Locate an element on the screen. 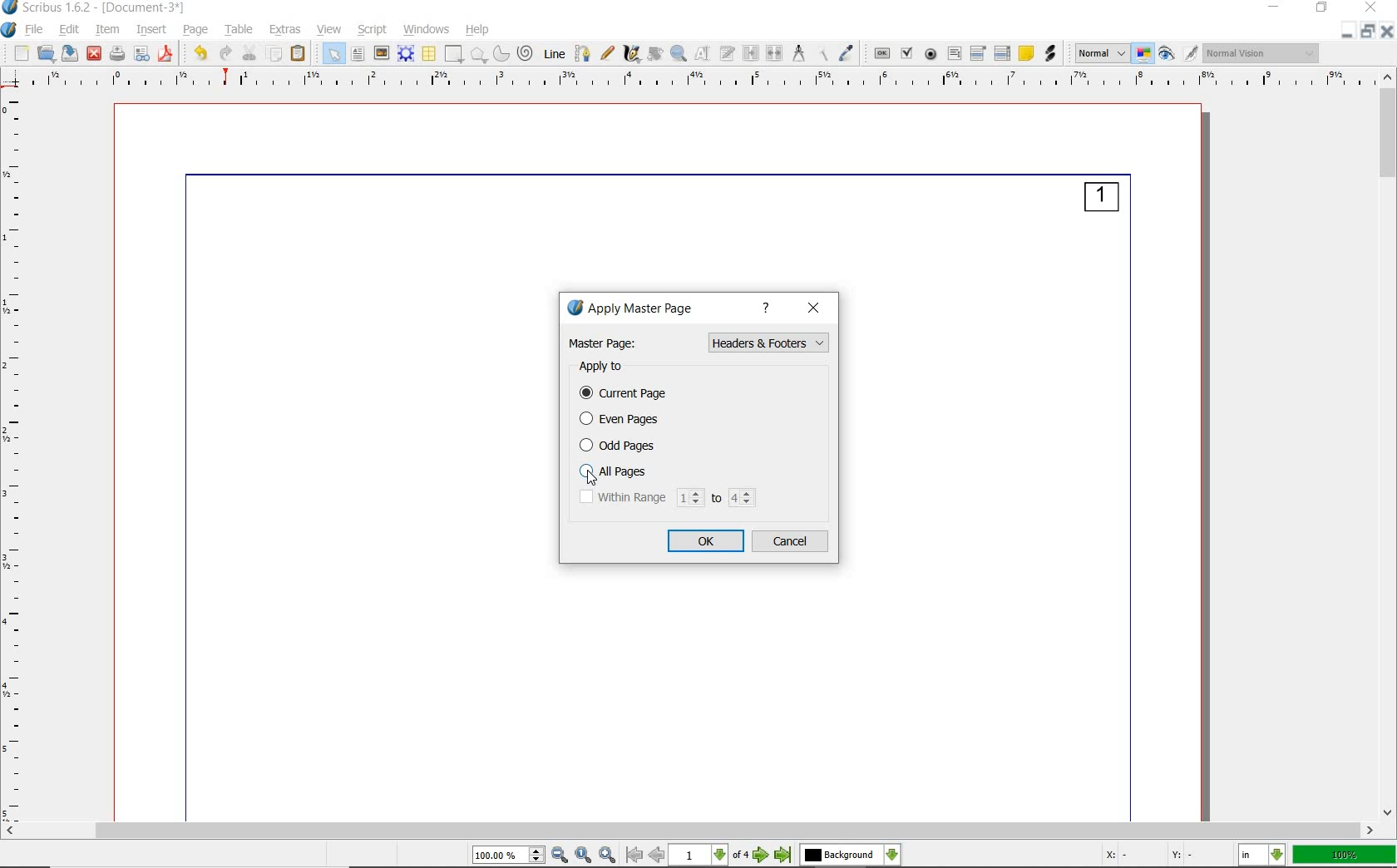  ruler is located at coordinates (20, 457).